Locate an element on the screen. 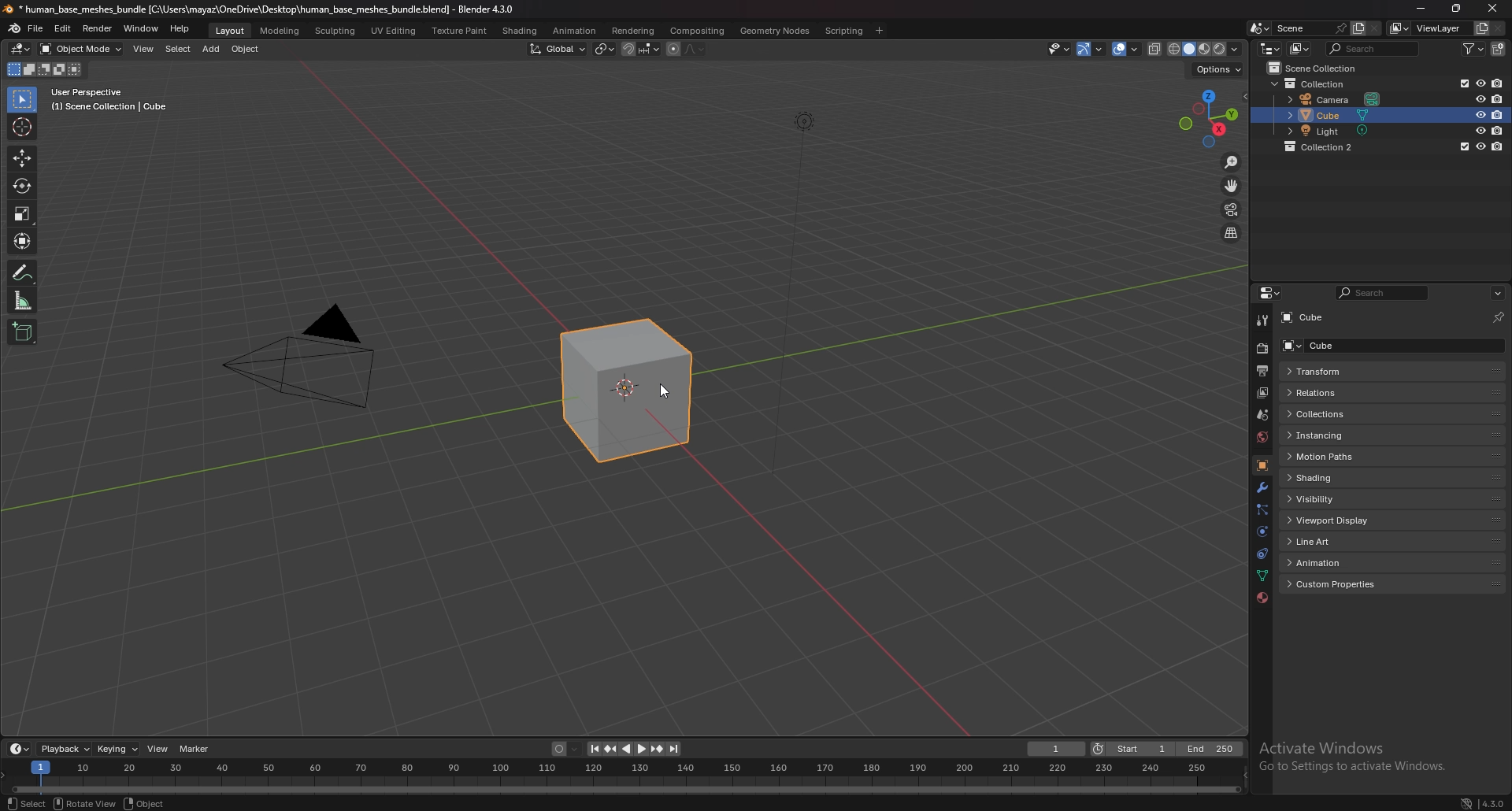 The width and height of the screenshot is (1512, 811). selectibility and visibility is located at coordinates (1060, 49).